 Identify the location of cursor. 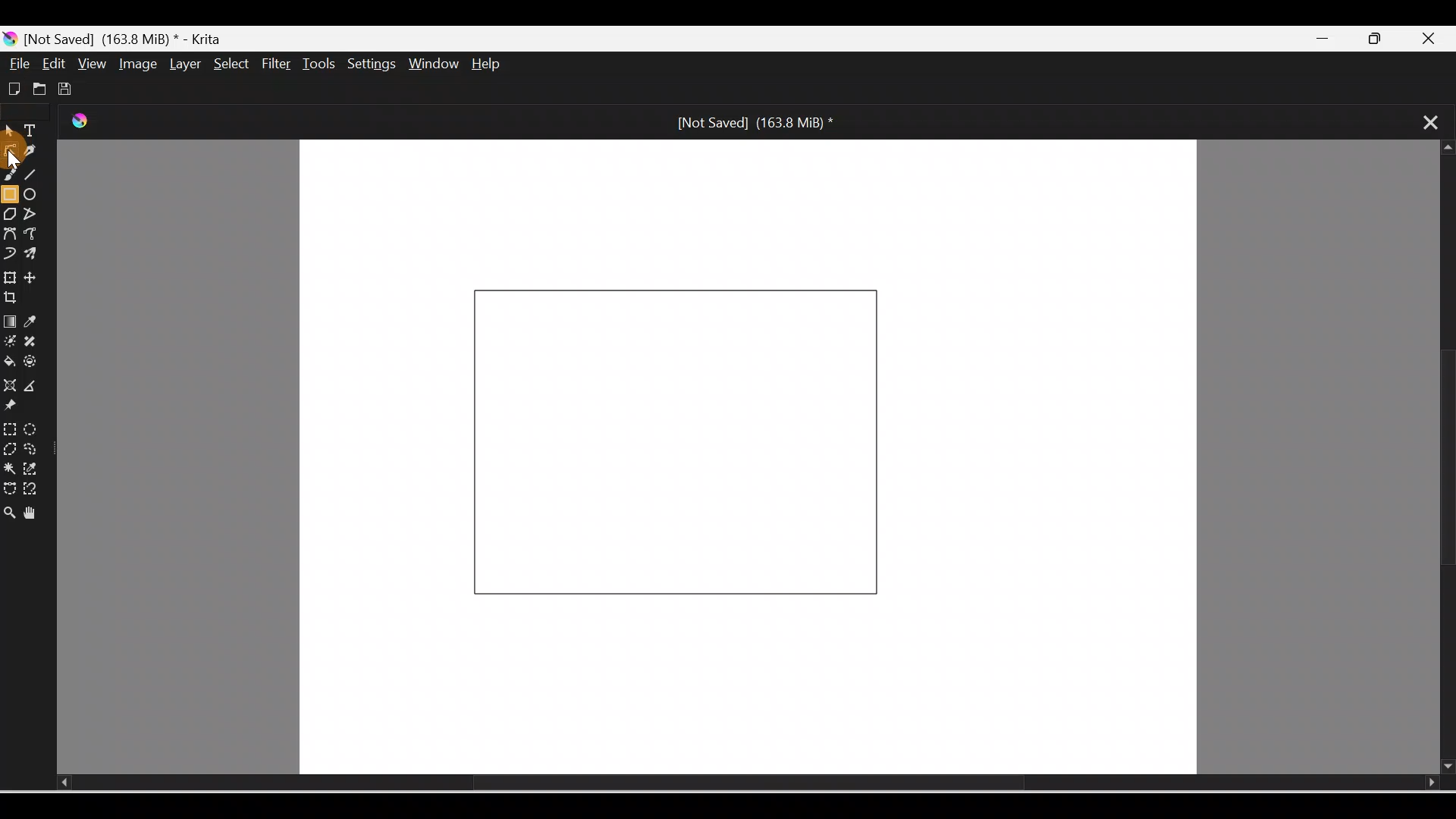
(18, 168).